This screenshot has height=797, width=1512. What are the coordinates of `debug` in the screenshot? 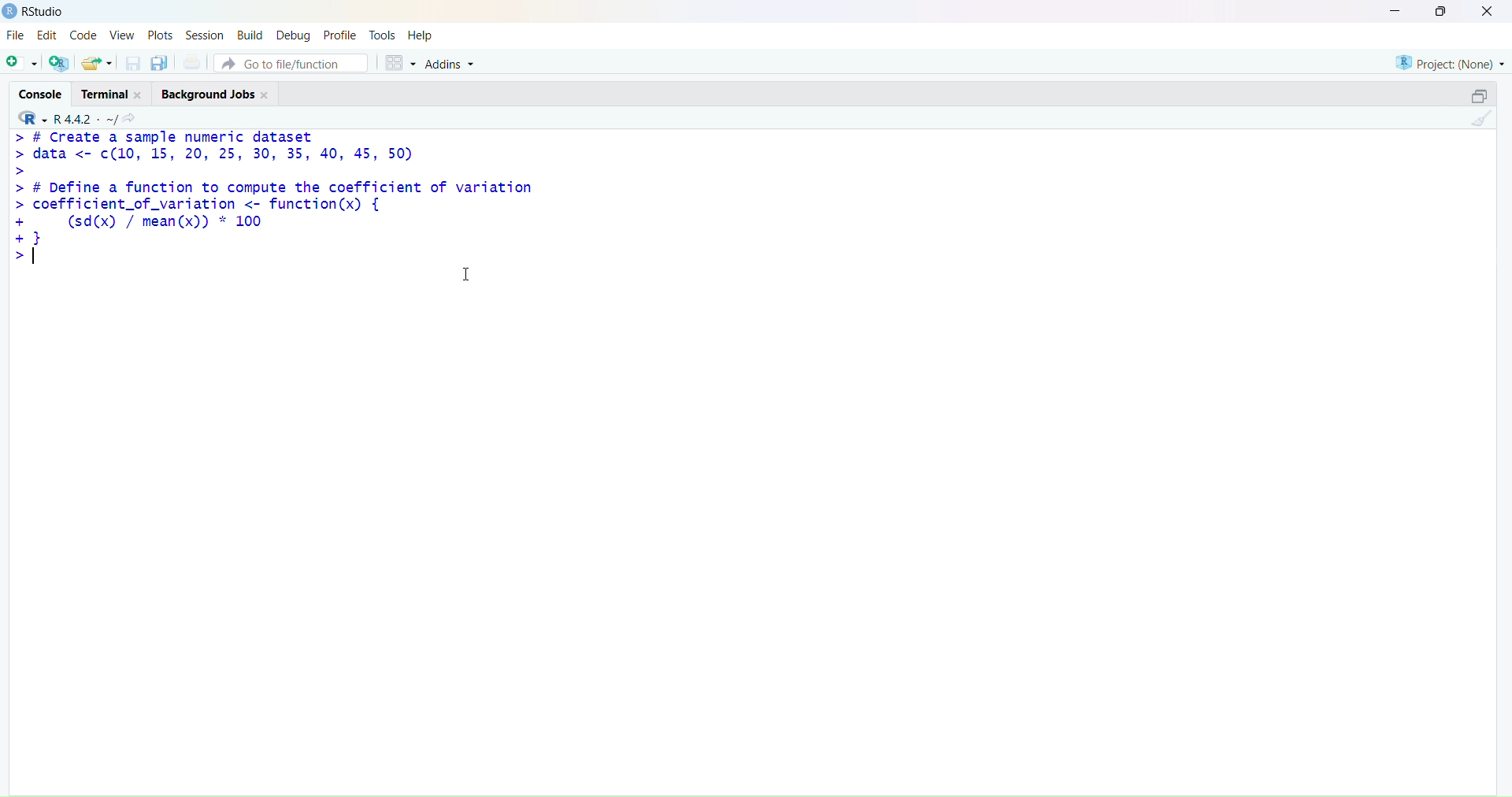 It's located at (293, 37).